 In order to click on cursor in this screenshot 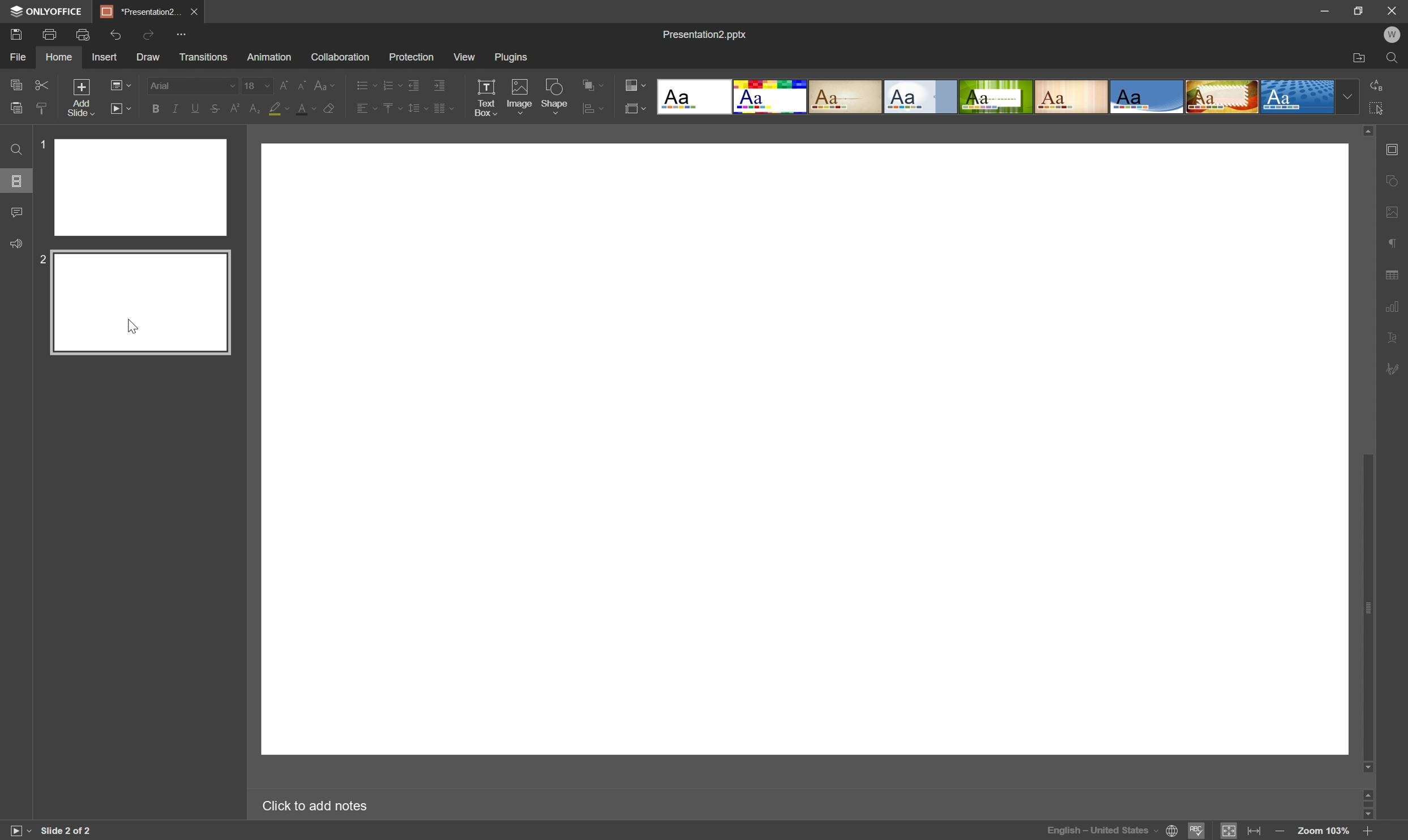, I will do `click(135, 325)`.